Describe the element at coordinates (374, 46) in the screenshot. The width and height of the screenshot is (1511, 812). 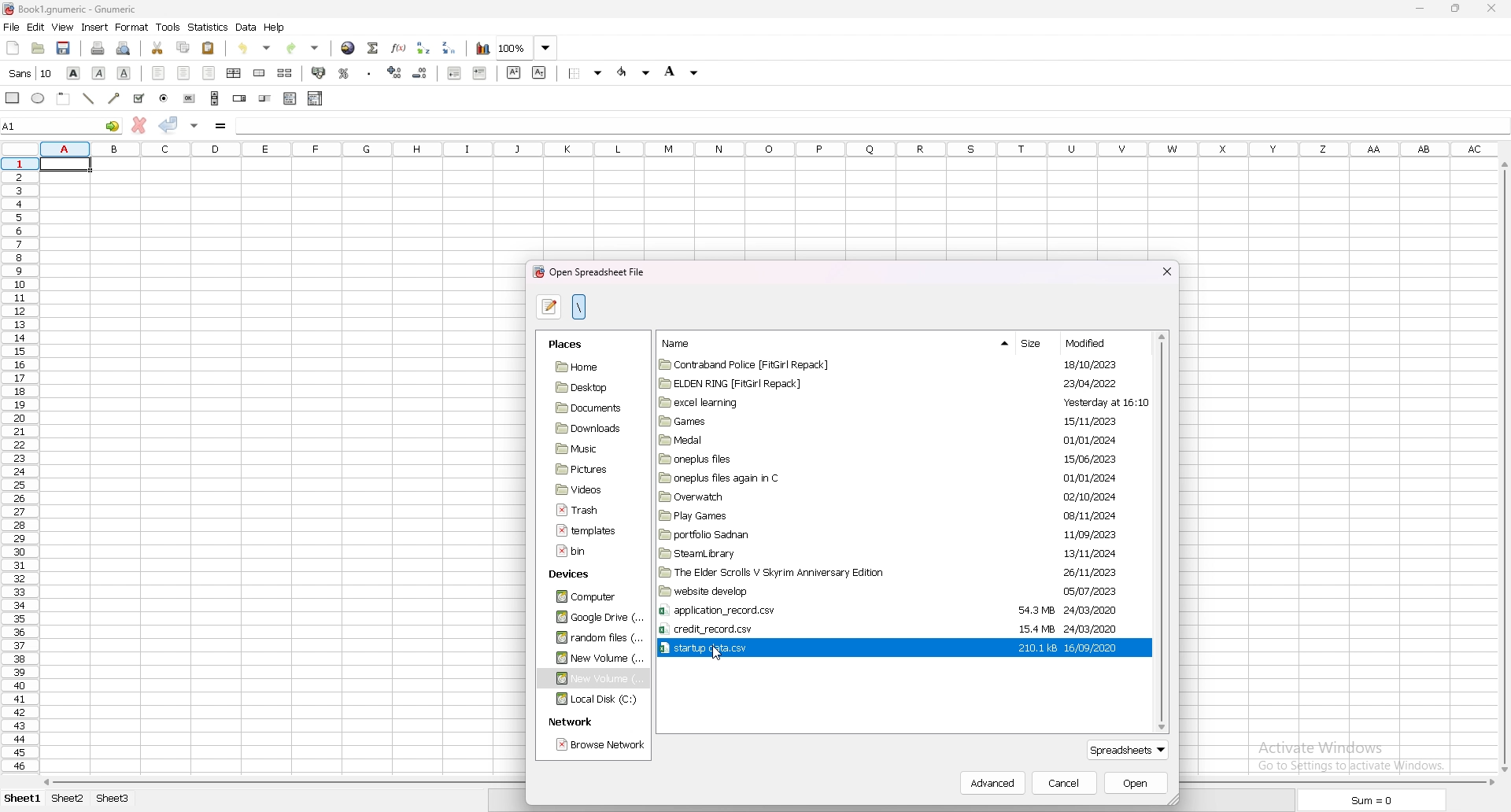
I see `summation` at that location.